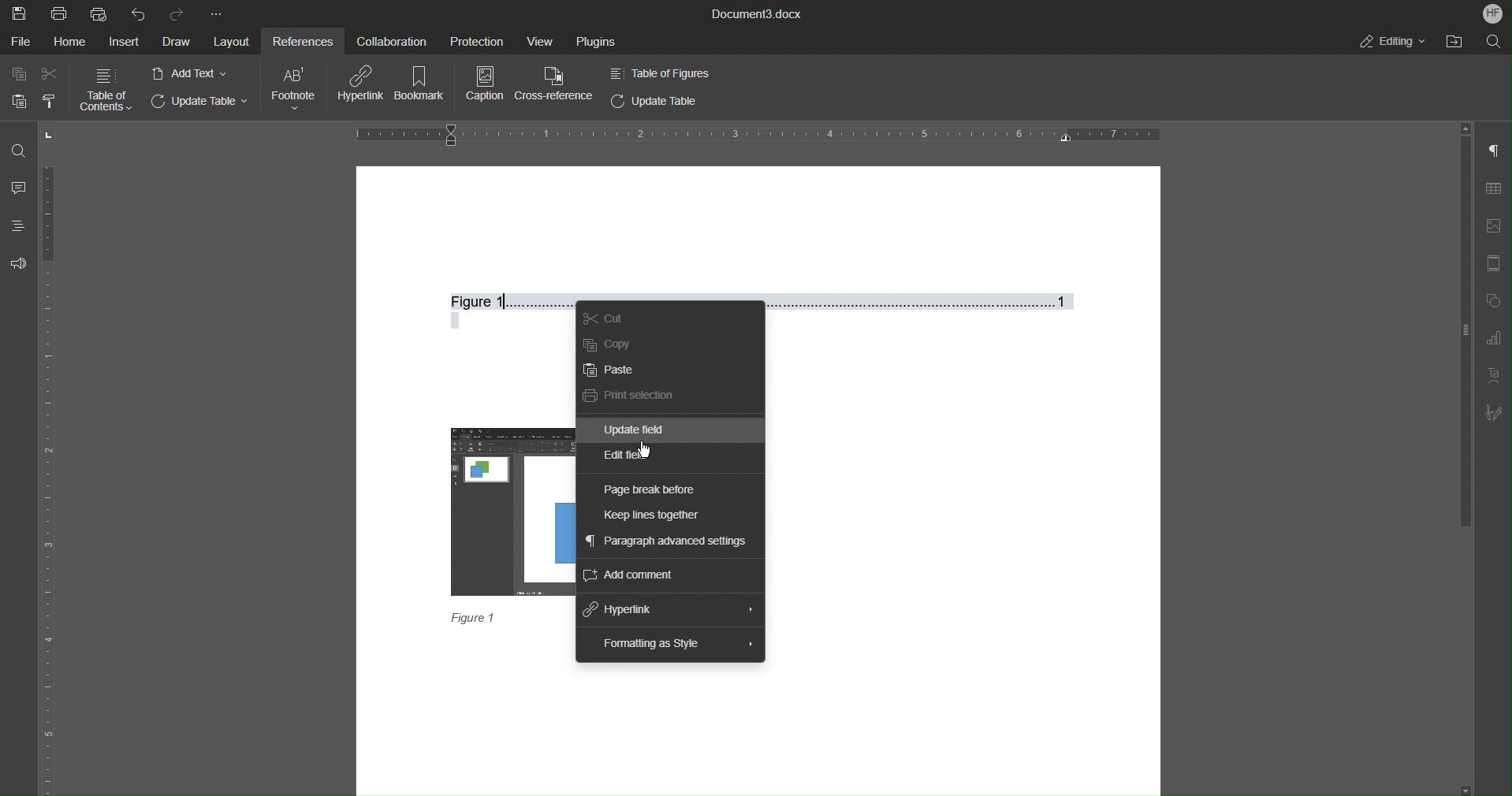 The height and width of the screenshot is (796, 1512). What do you see at coordinates (1460, 43) in the screenshot?
I see `Open File Location` at bounding box center [1460, 43].